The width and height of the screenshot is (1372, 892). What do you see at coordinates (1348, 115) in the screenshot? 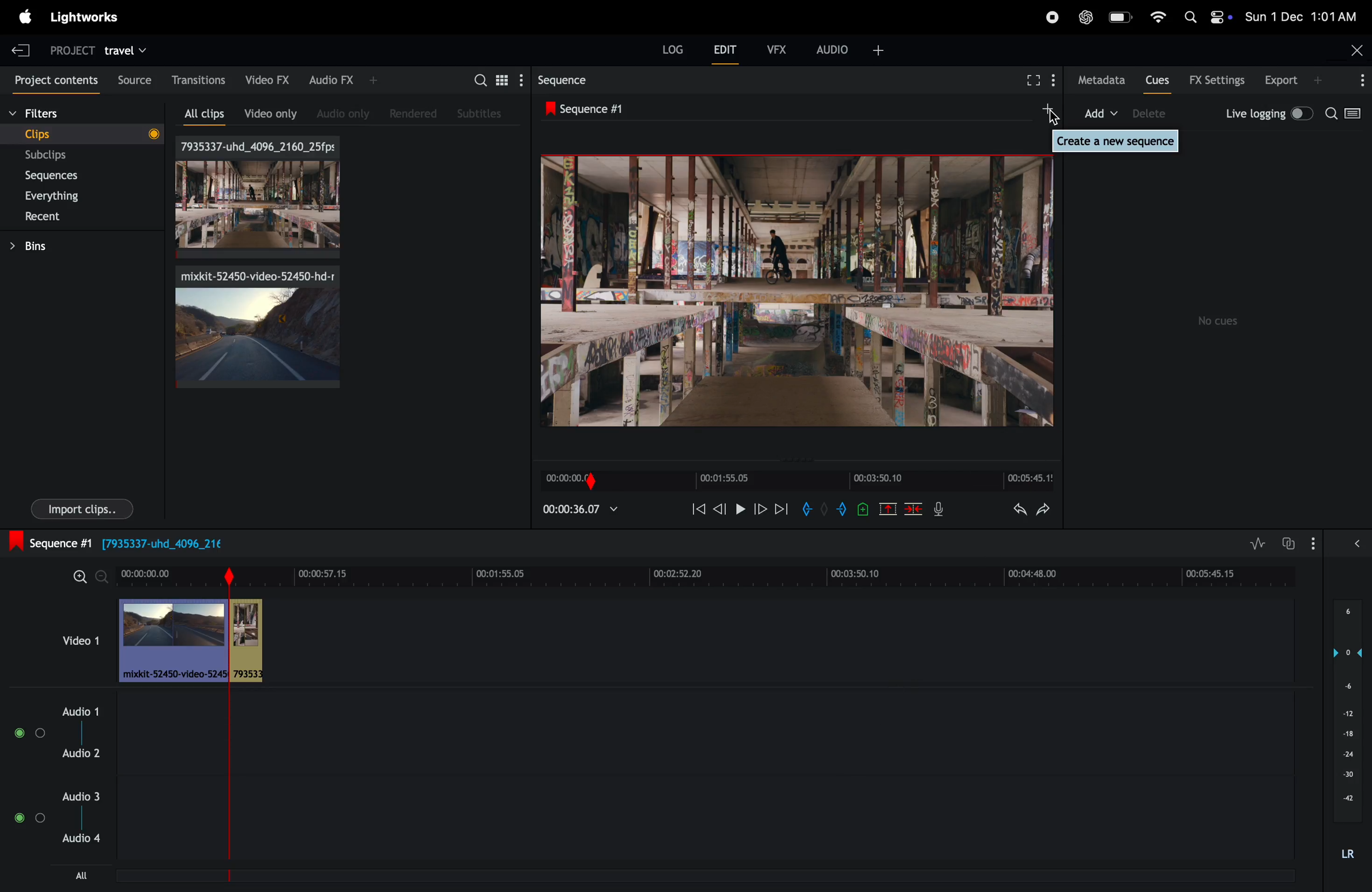
I see `search options` at bounding box center [1348, 115].